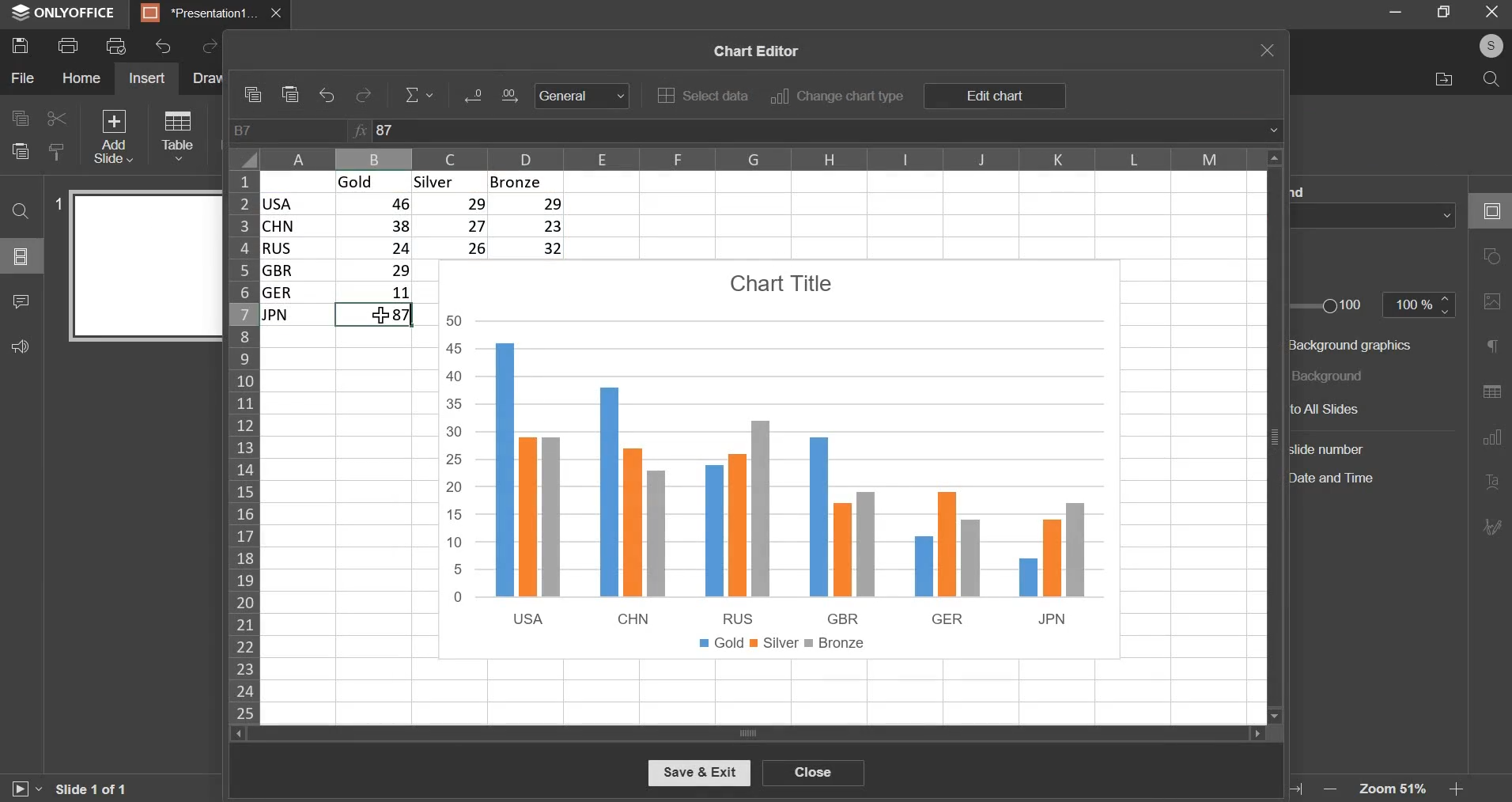 The height and width of the screenshot is (802, 1512). Describe the element at coordinates (21, 211) in the screenshot. I see `find` at that location.